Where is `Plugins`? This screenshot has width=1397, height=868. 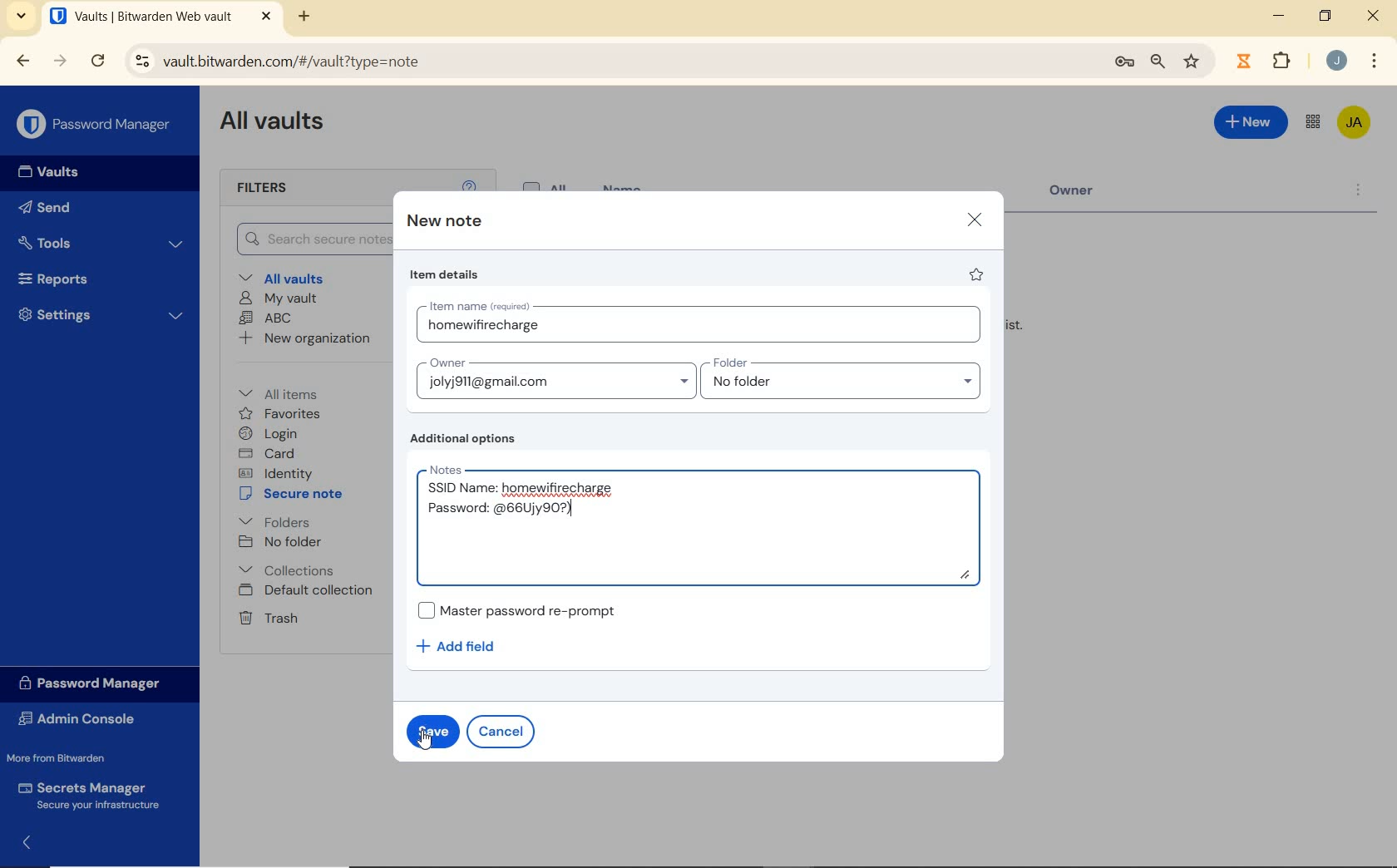 Plugins is located at coordinates (1285, 59).